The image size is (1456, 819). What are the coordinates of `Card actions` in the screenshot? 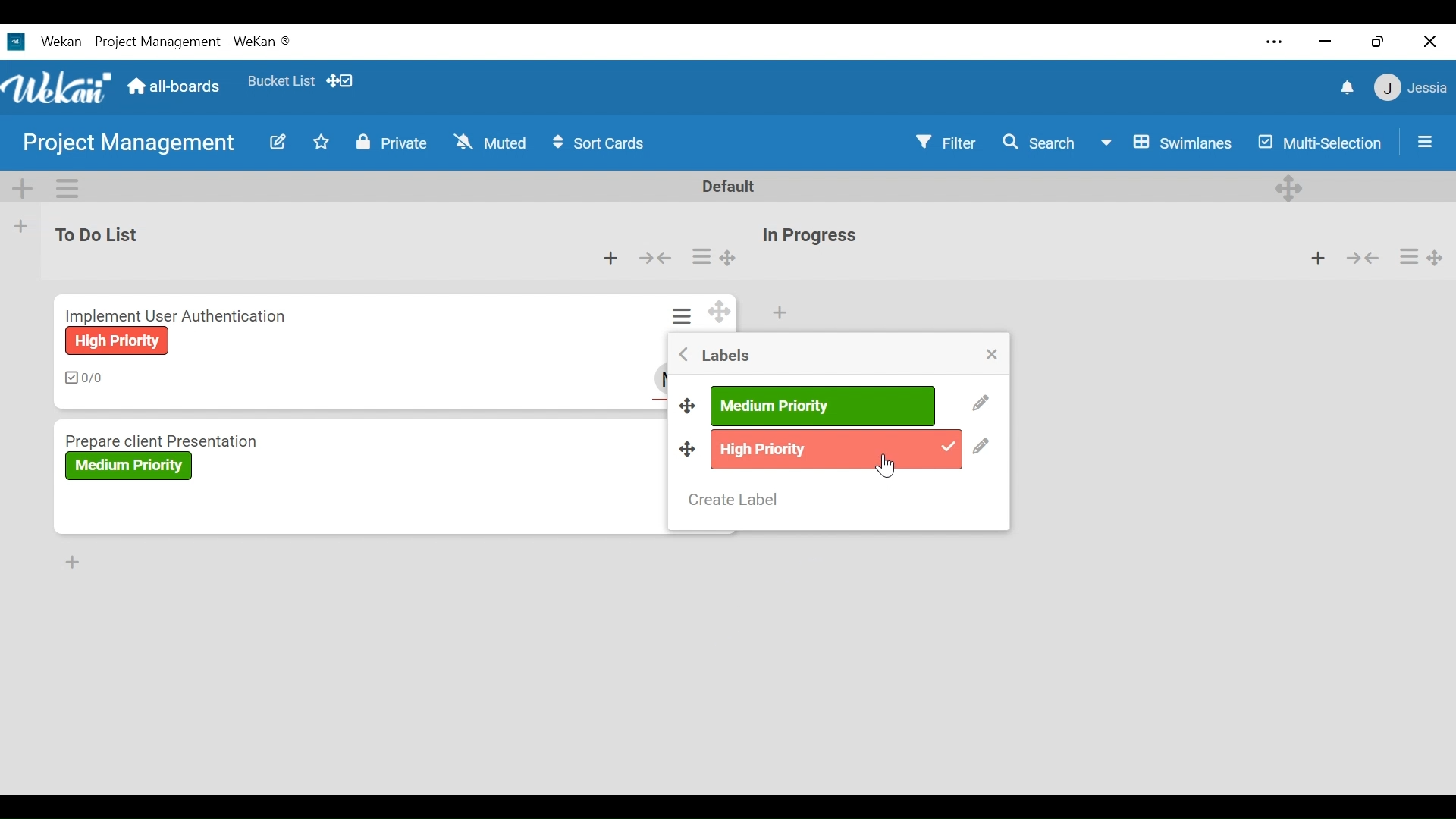 It's located at (684, 315).